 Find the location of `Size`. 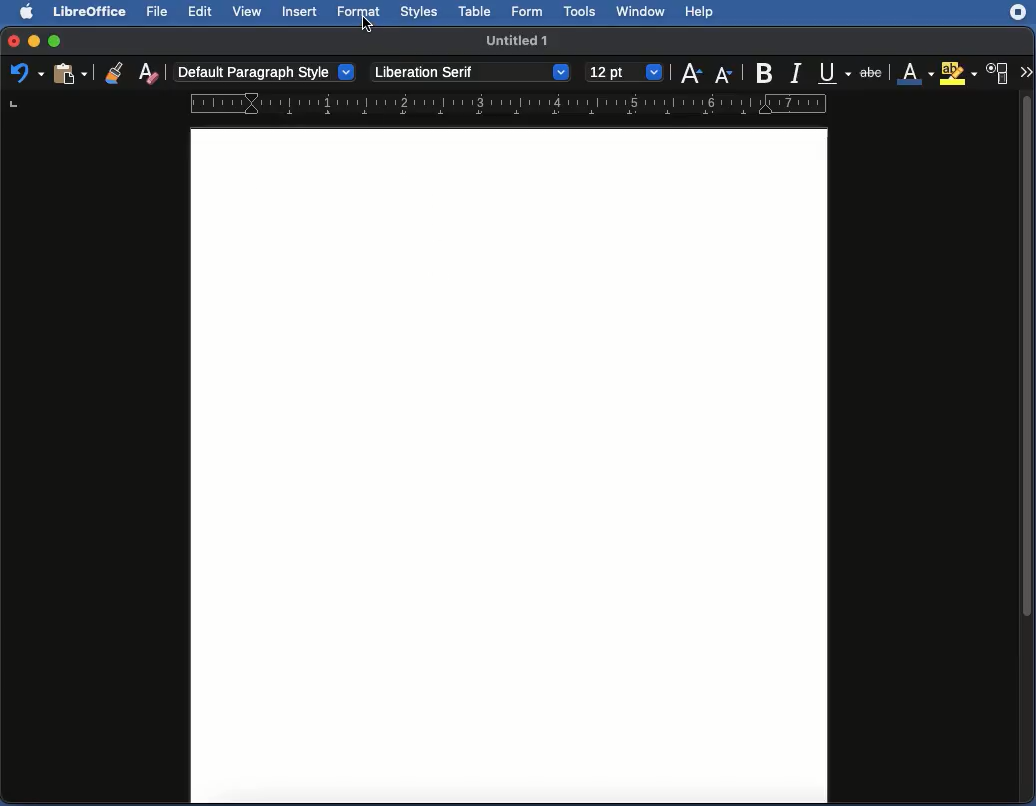

Size is located at coordinates (623, 72).